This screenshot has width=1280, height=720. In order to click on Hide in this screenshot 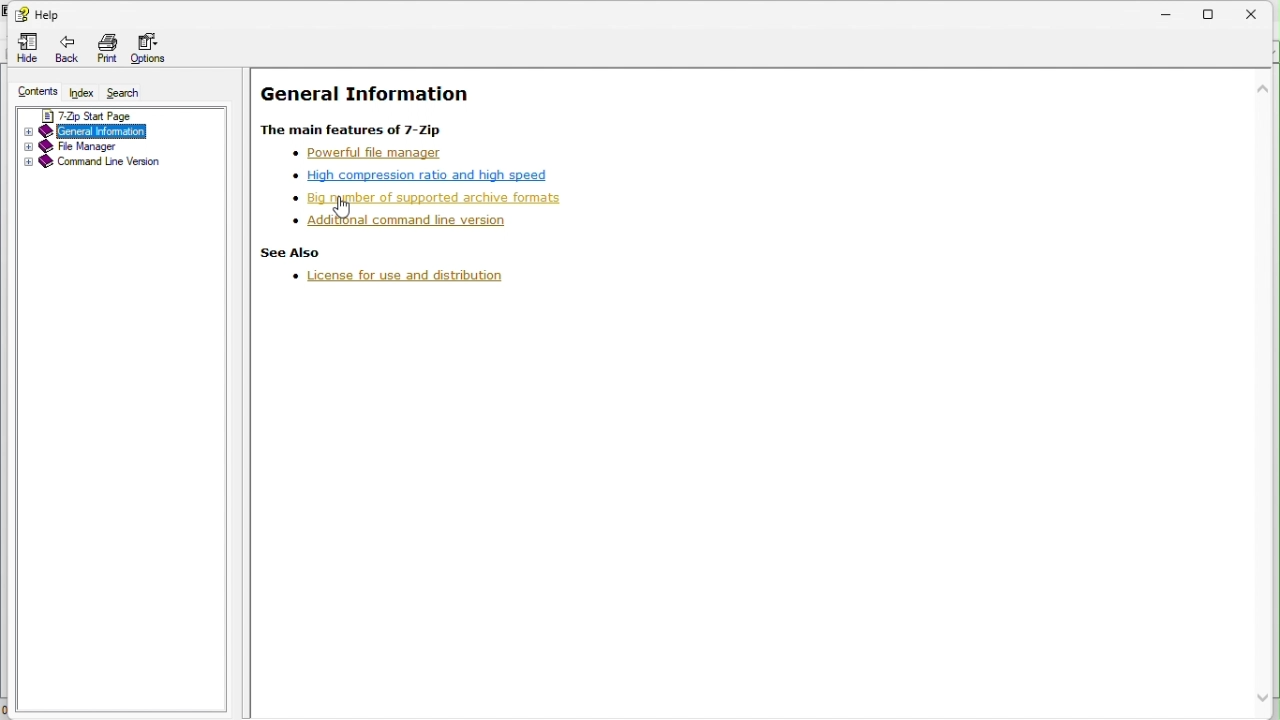, I will do `click(24, 47)`.